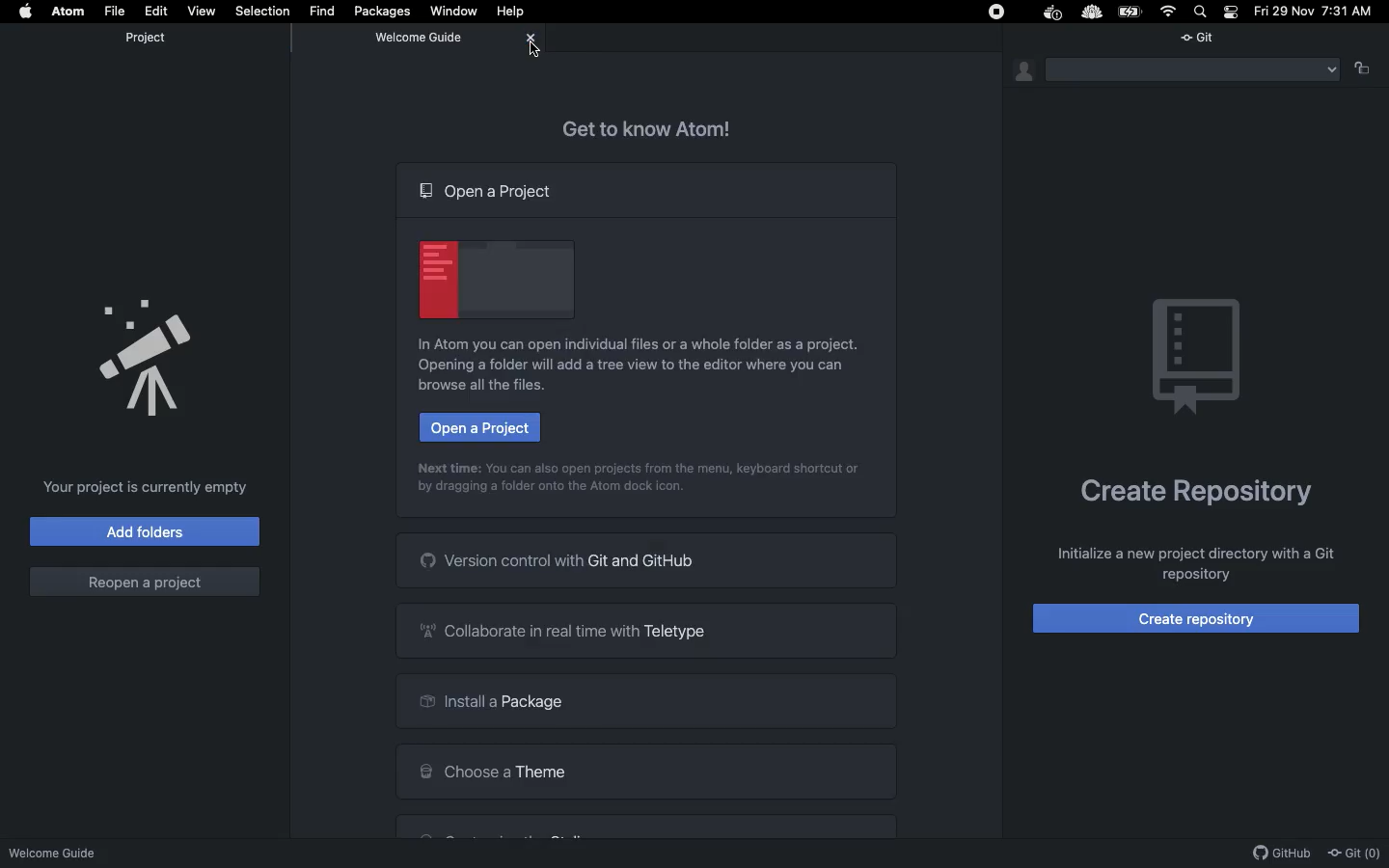  Describe the element at coordinates (144, 530) in the screenshot. I see `Add folders` at that location.